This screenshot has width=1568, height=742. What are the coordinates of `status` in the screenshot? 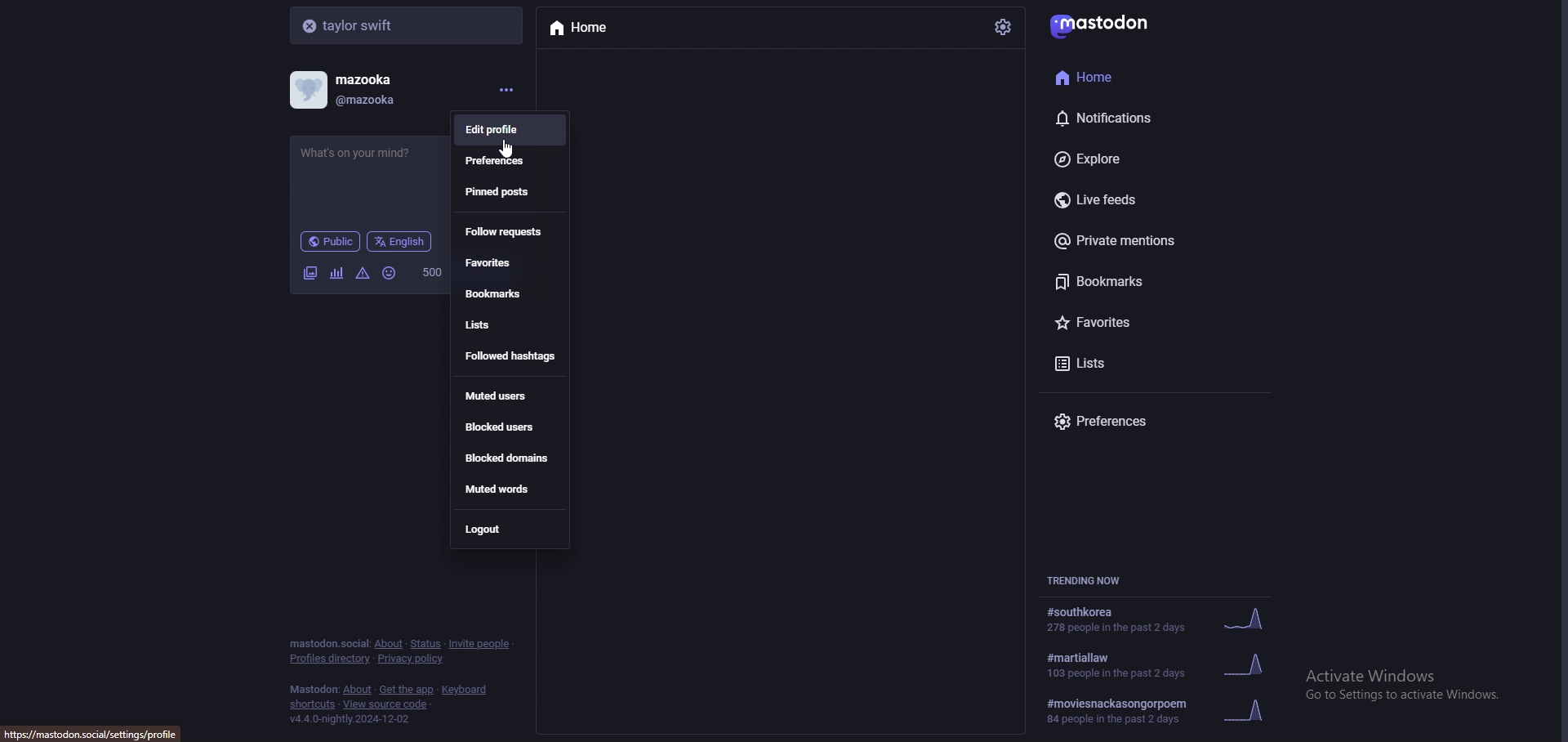 It's located at (372, 159).